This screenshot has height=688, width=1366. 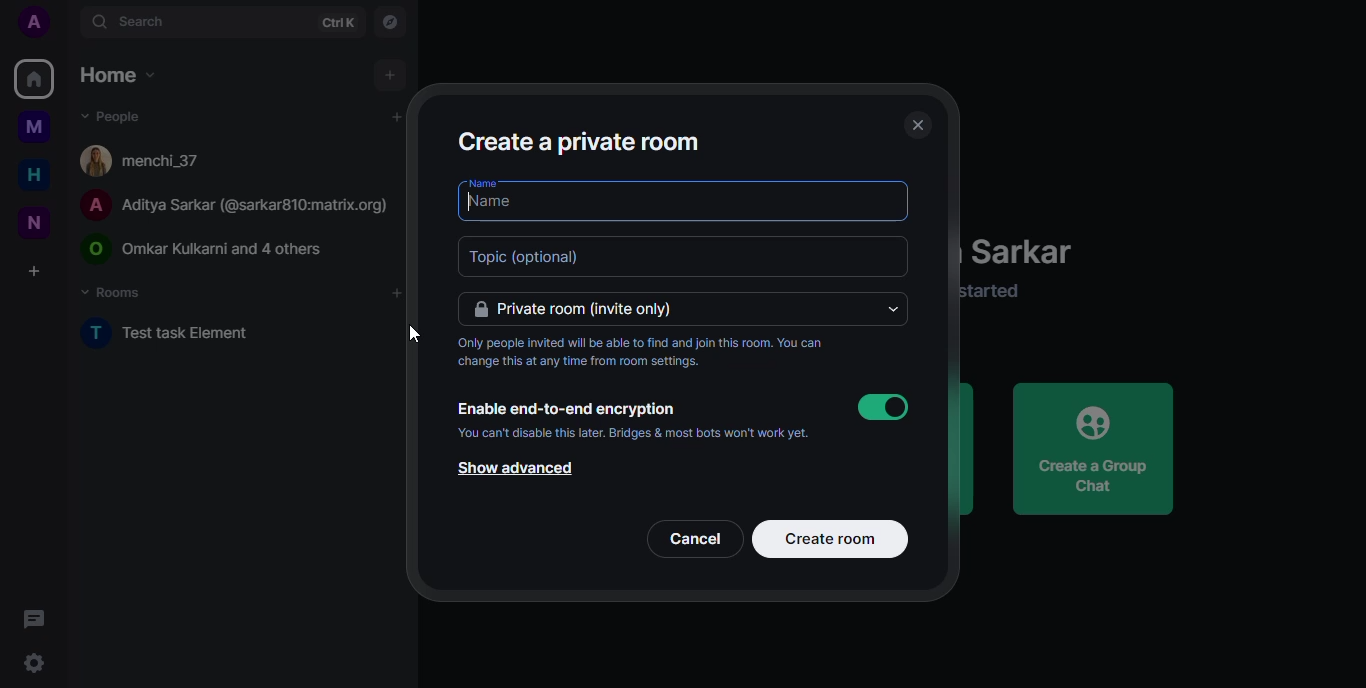 I want to click on show advanced, so click(x=514, y=469).